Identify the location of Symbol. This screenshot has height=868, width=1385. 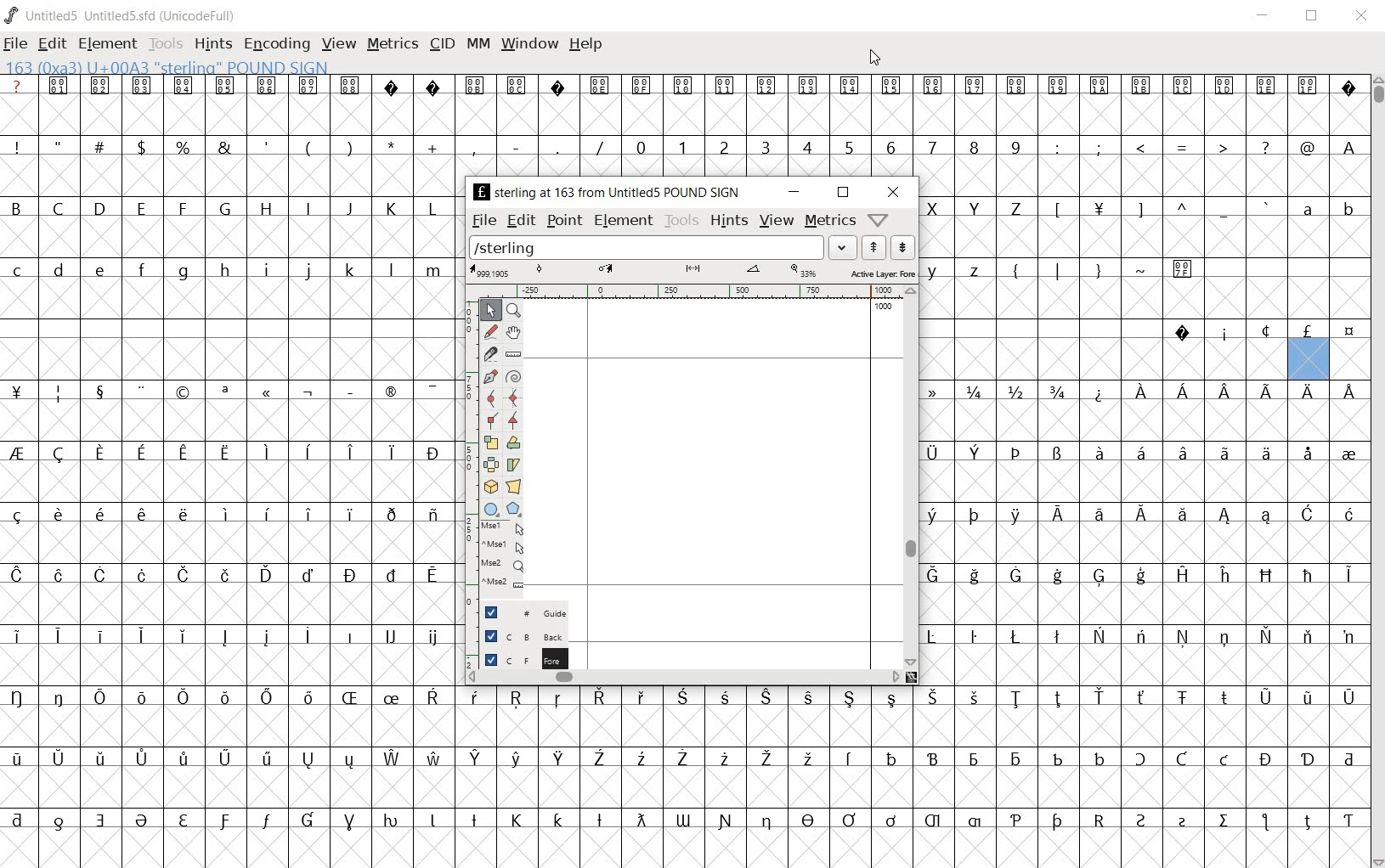
(1308, 637).